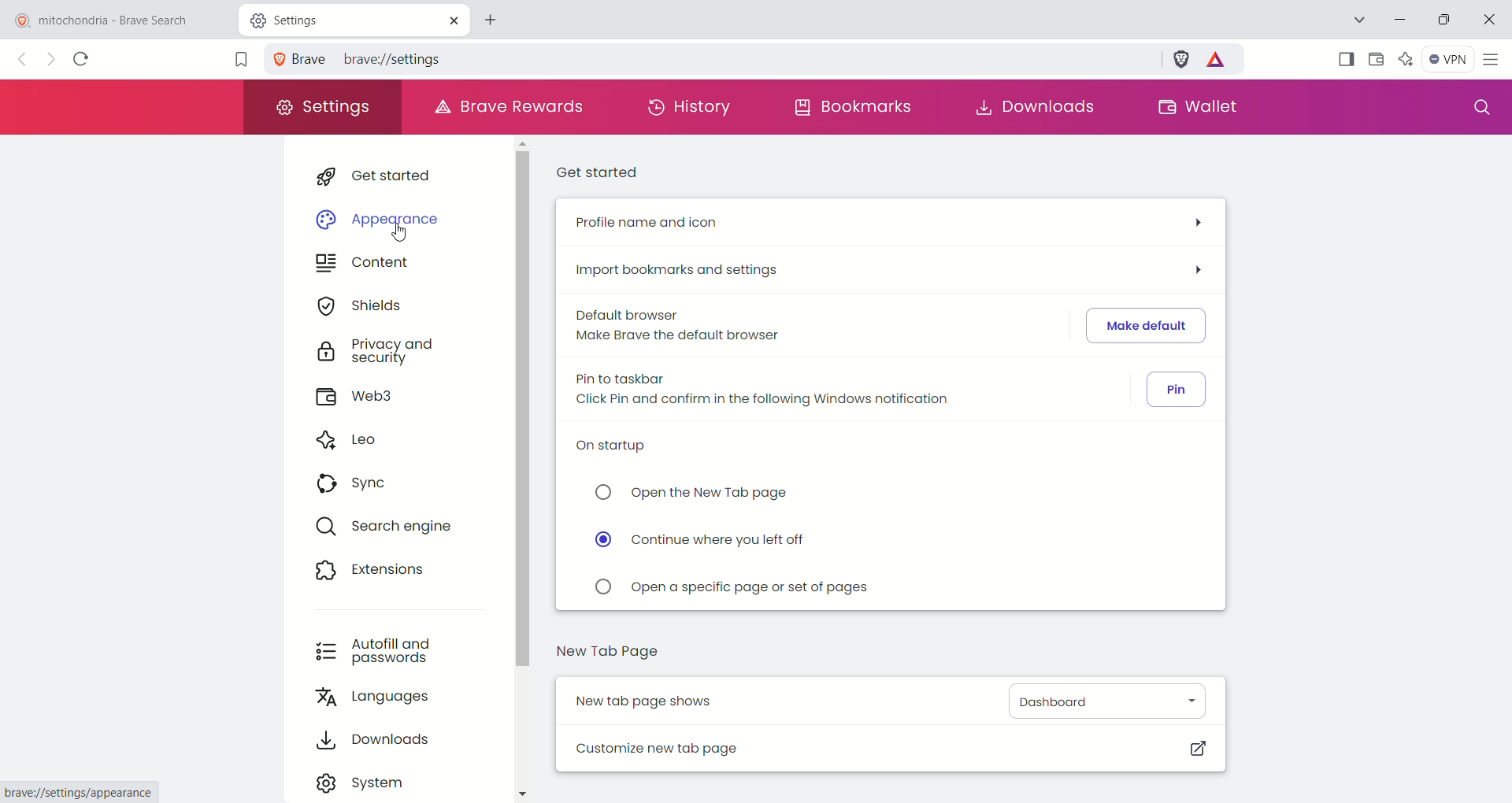  What do you see at coordinates (348, 439) in the screenshot?
I see `leo` at bounding box center [348, 439].